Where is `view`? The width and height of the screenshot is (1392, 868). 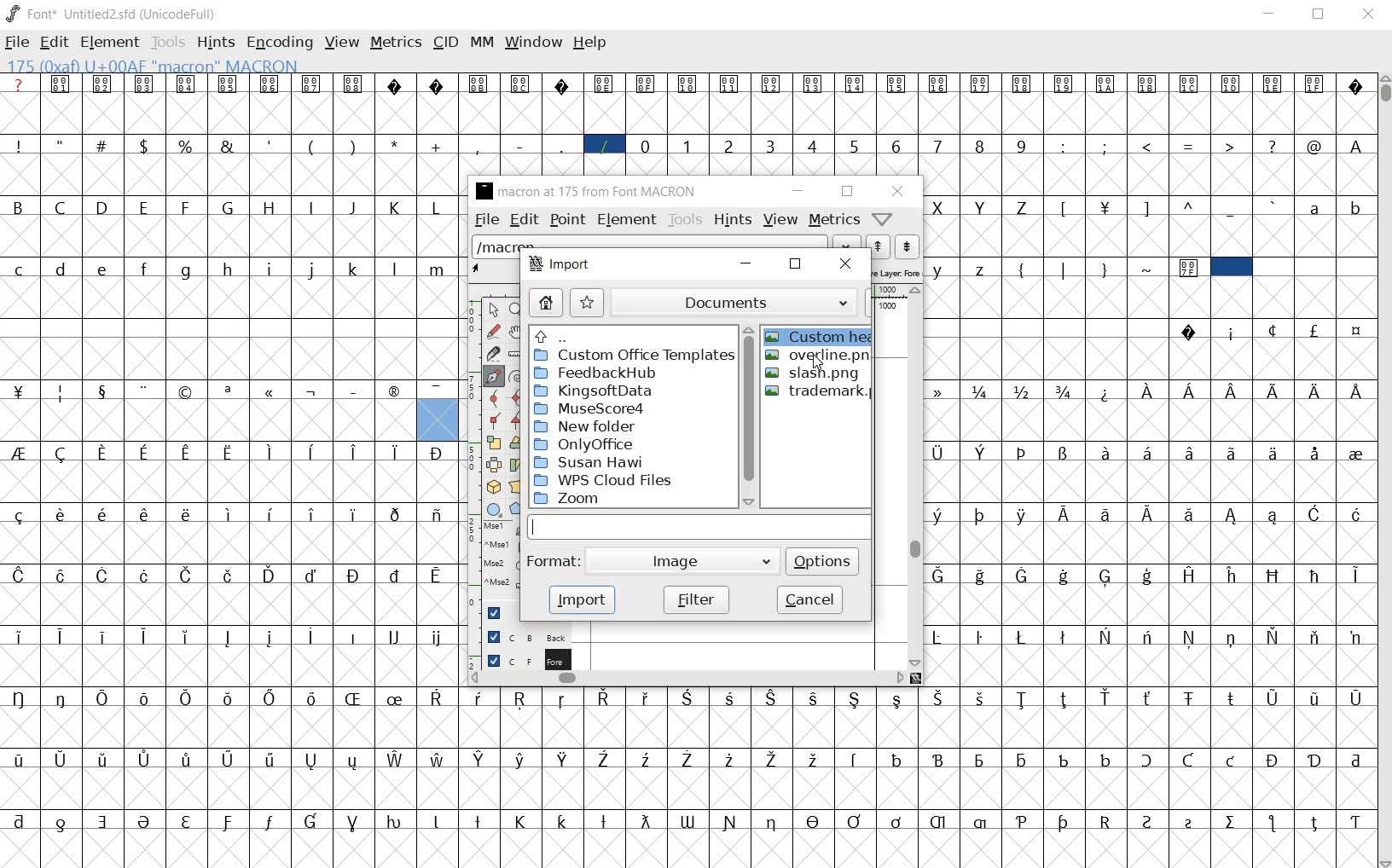
view is located at coordinates (342, 42).